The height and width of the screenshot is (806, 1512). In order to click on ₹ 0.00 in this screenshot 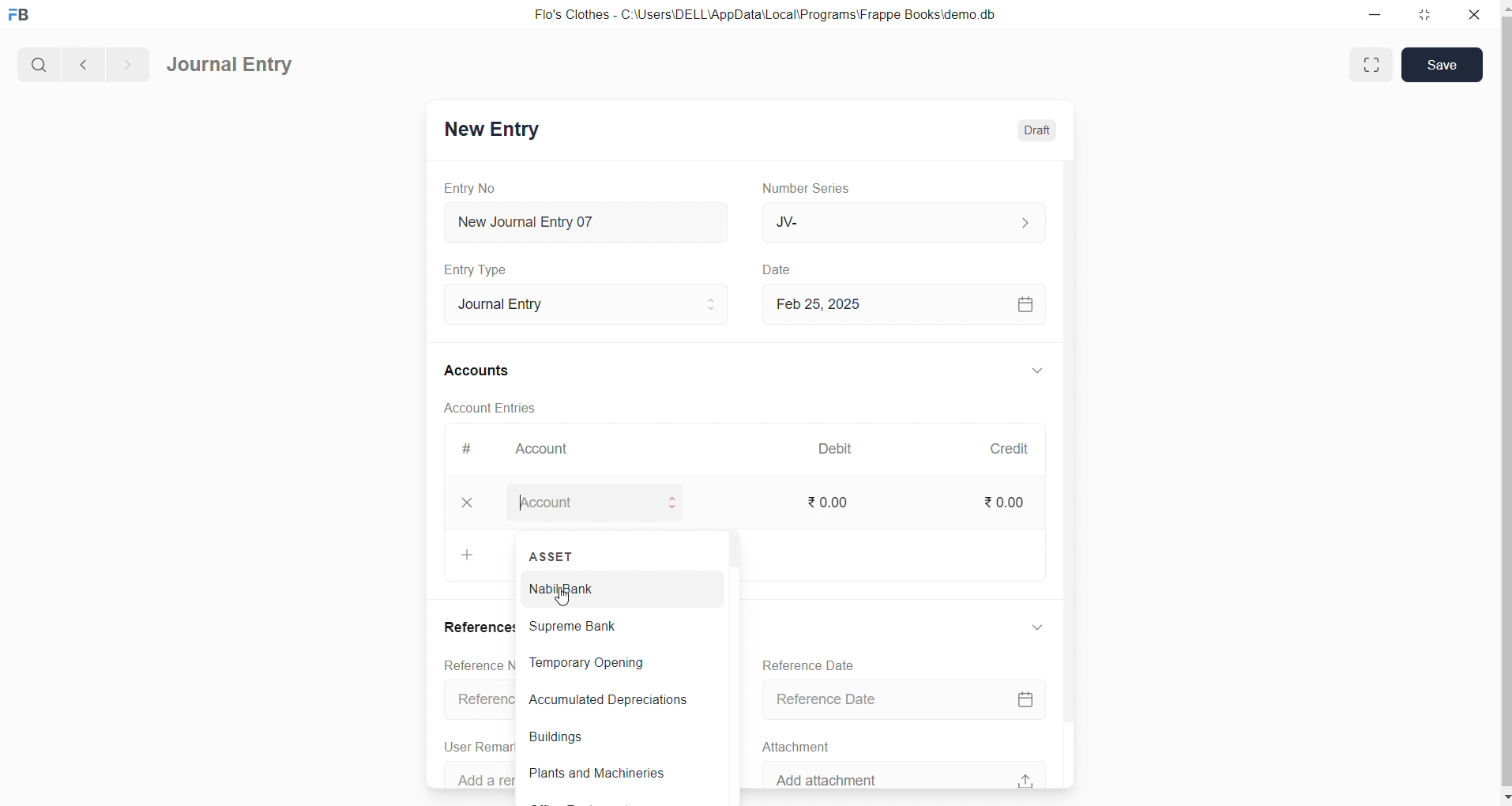, I will do `click(1011, 502)`.